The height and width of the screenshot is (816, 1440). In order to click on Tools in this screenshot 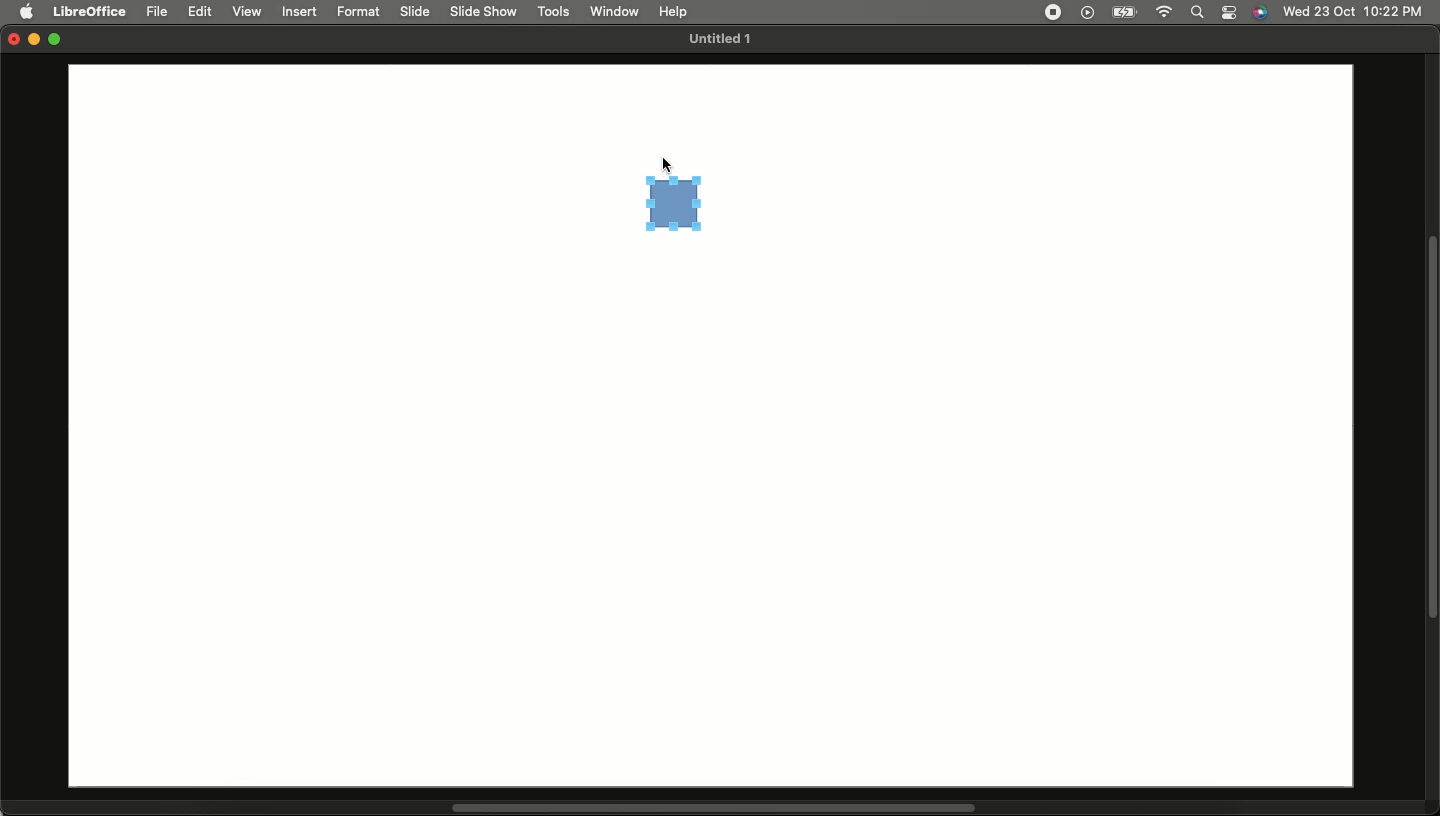, I will do `click(555, 12)`.